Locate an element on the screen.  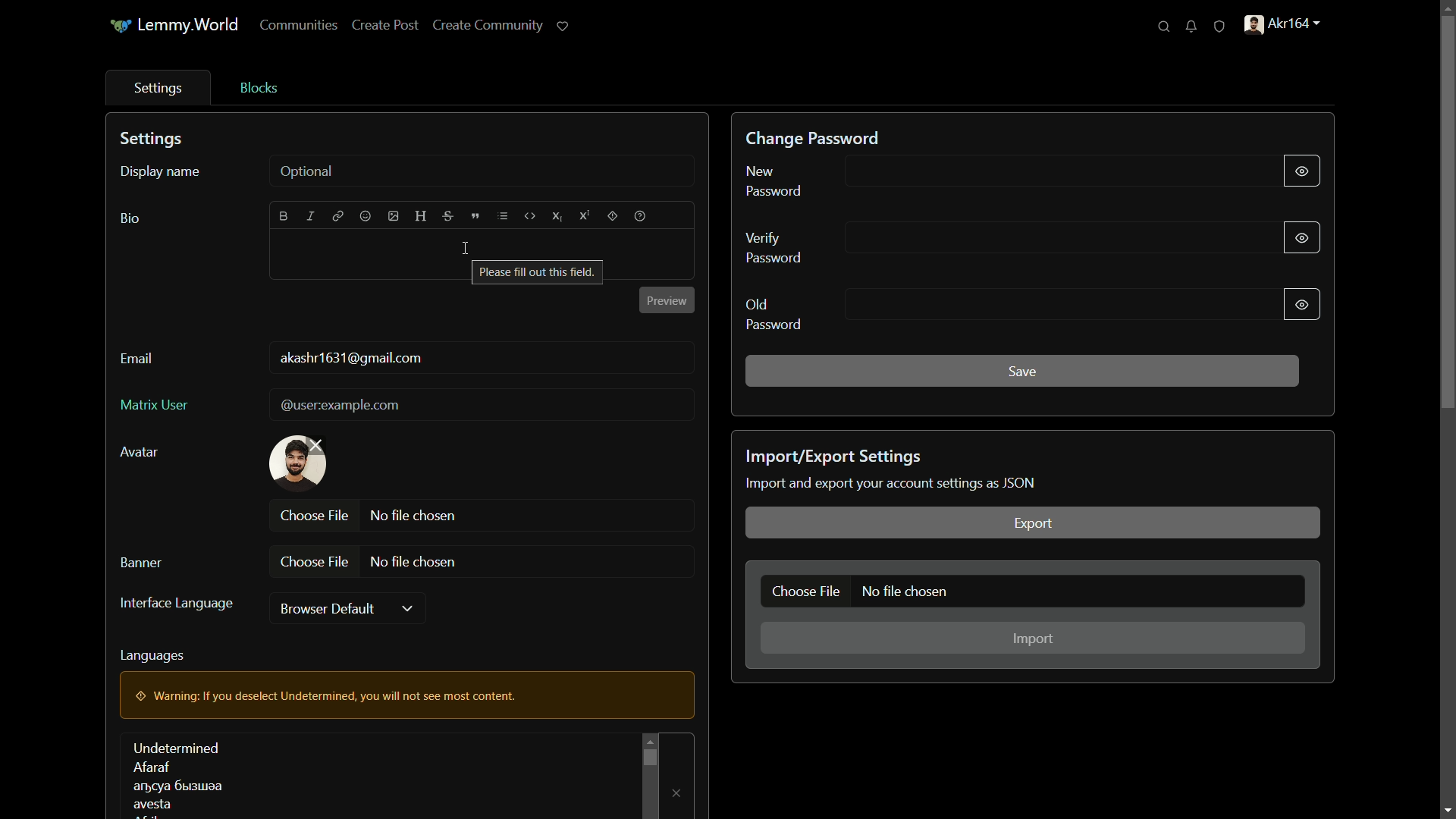
no file chosen is located at coordinates (416, 516).